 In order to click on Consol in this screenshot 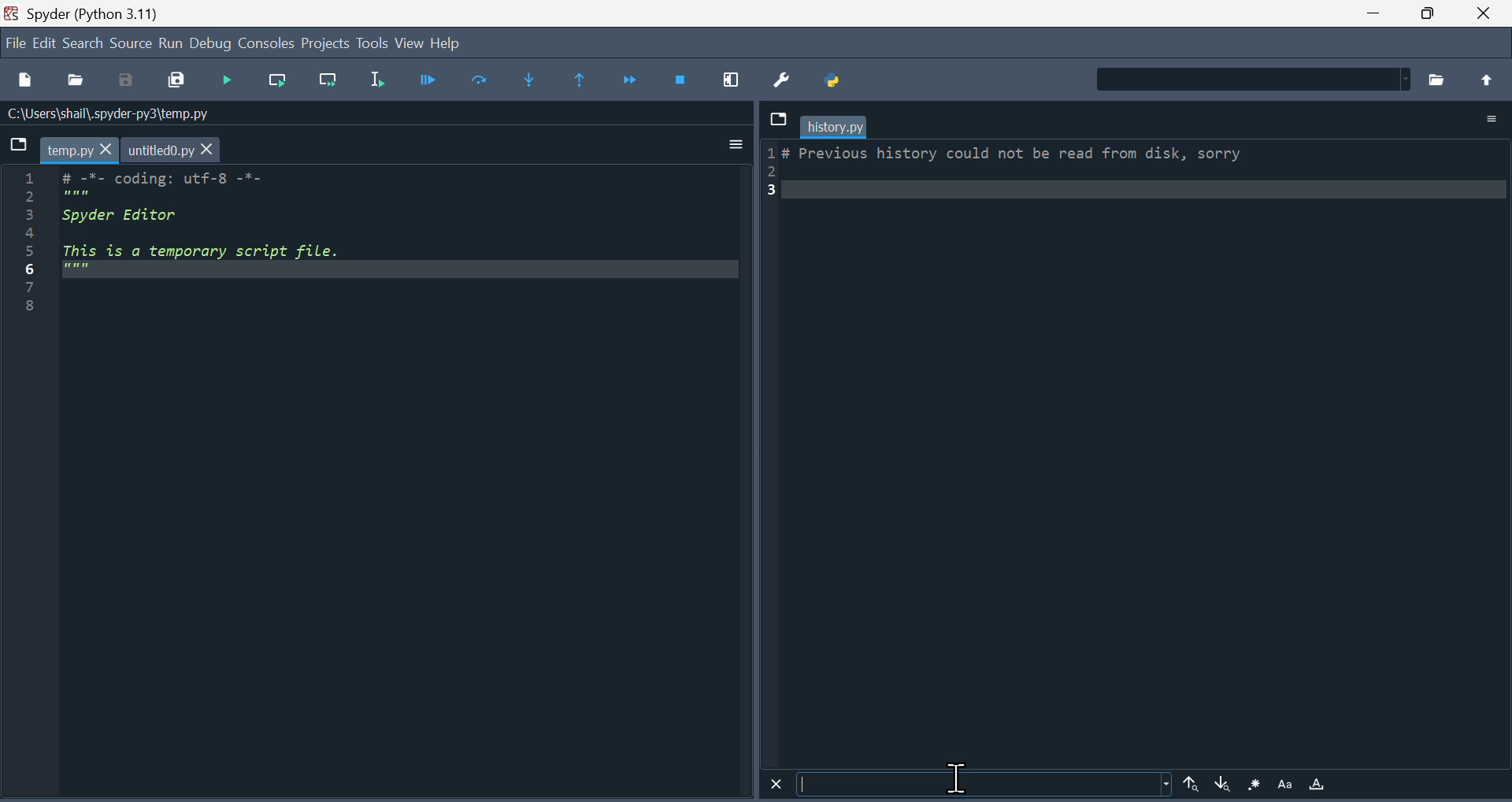, I will do `click(265, 41)`.